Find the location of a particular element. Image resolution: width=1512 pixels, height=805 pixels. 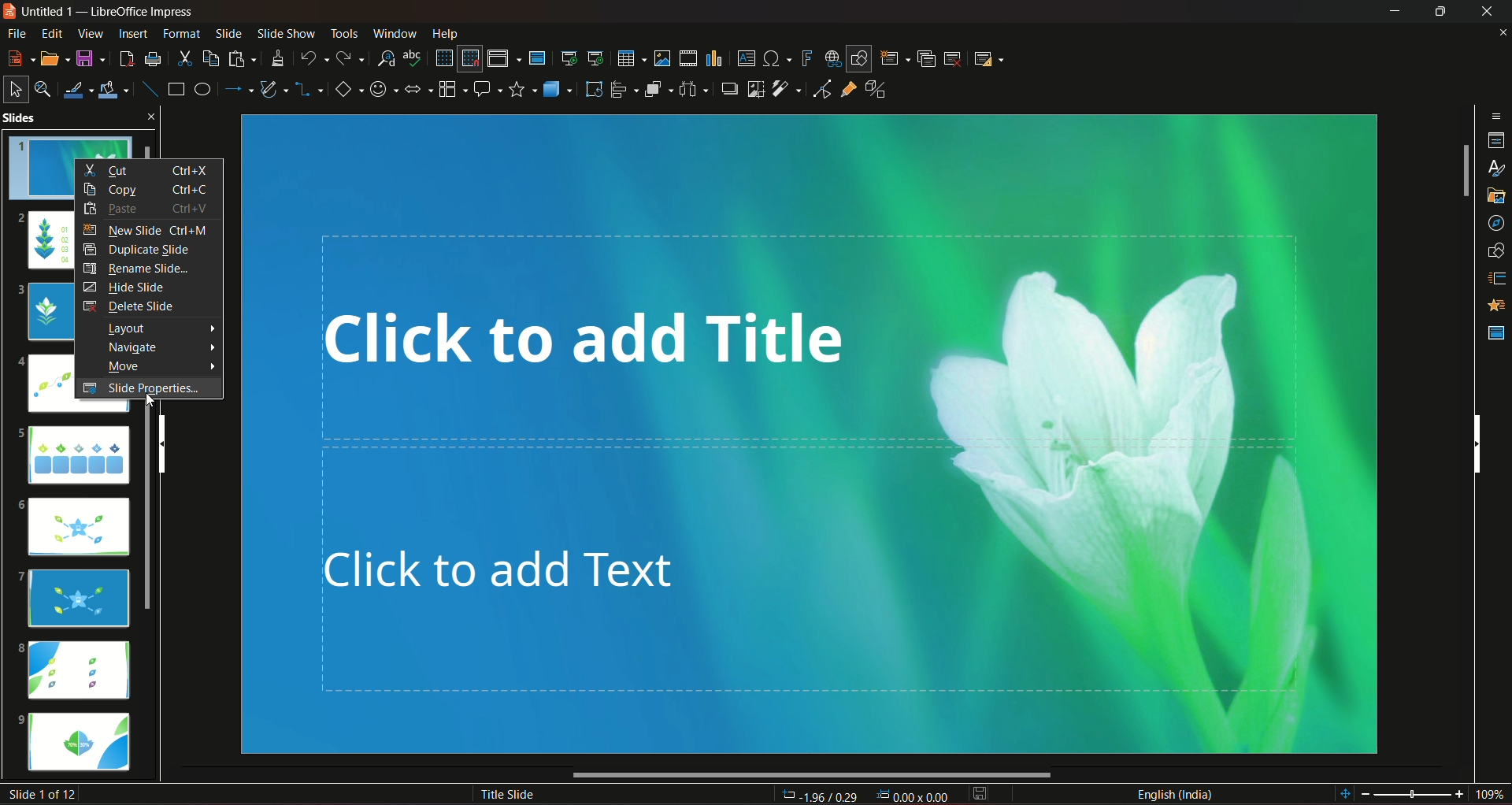

slide 8 is located at coordinates (78, 670).